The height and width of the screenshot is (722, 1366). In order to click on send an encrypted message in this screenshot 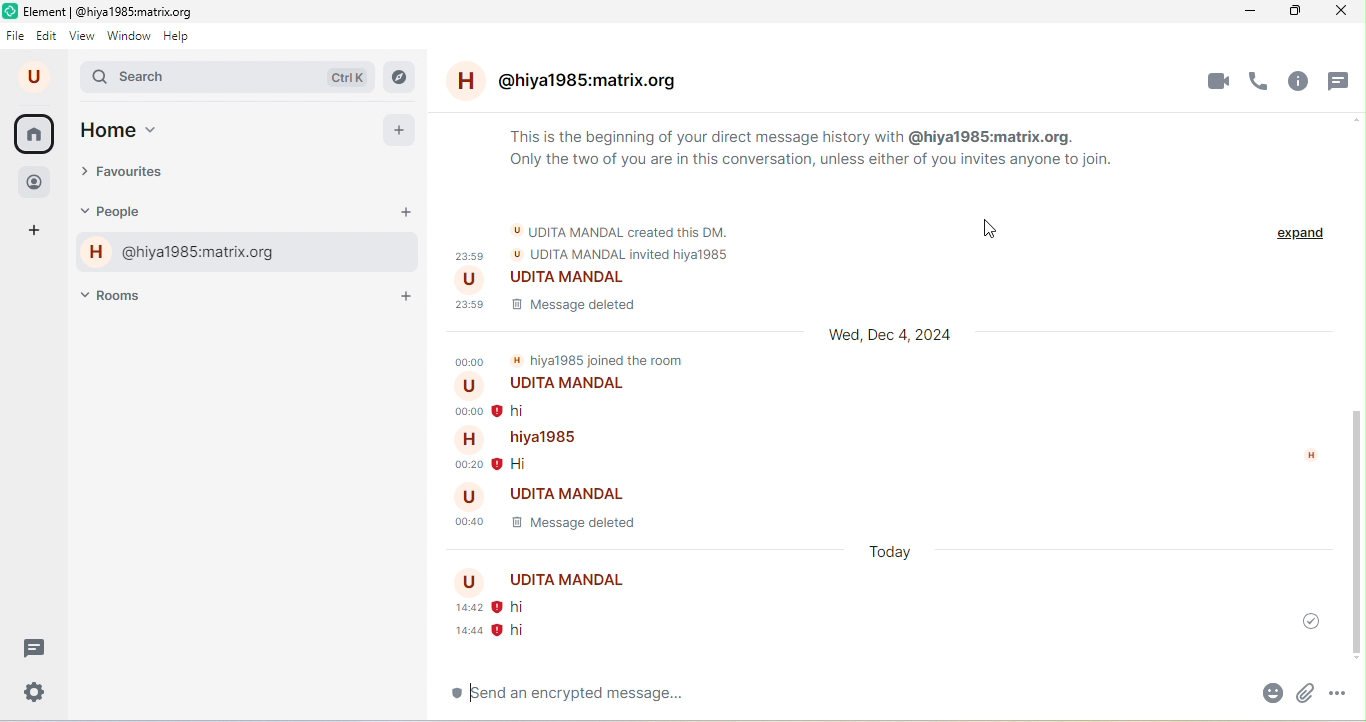, I will do `click(613, 697)`.